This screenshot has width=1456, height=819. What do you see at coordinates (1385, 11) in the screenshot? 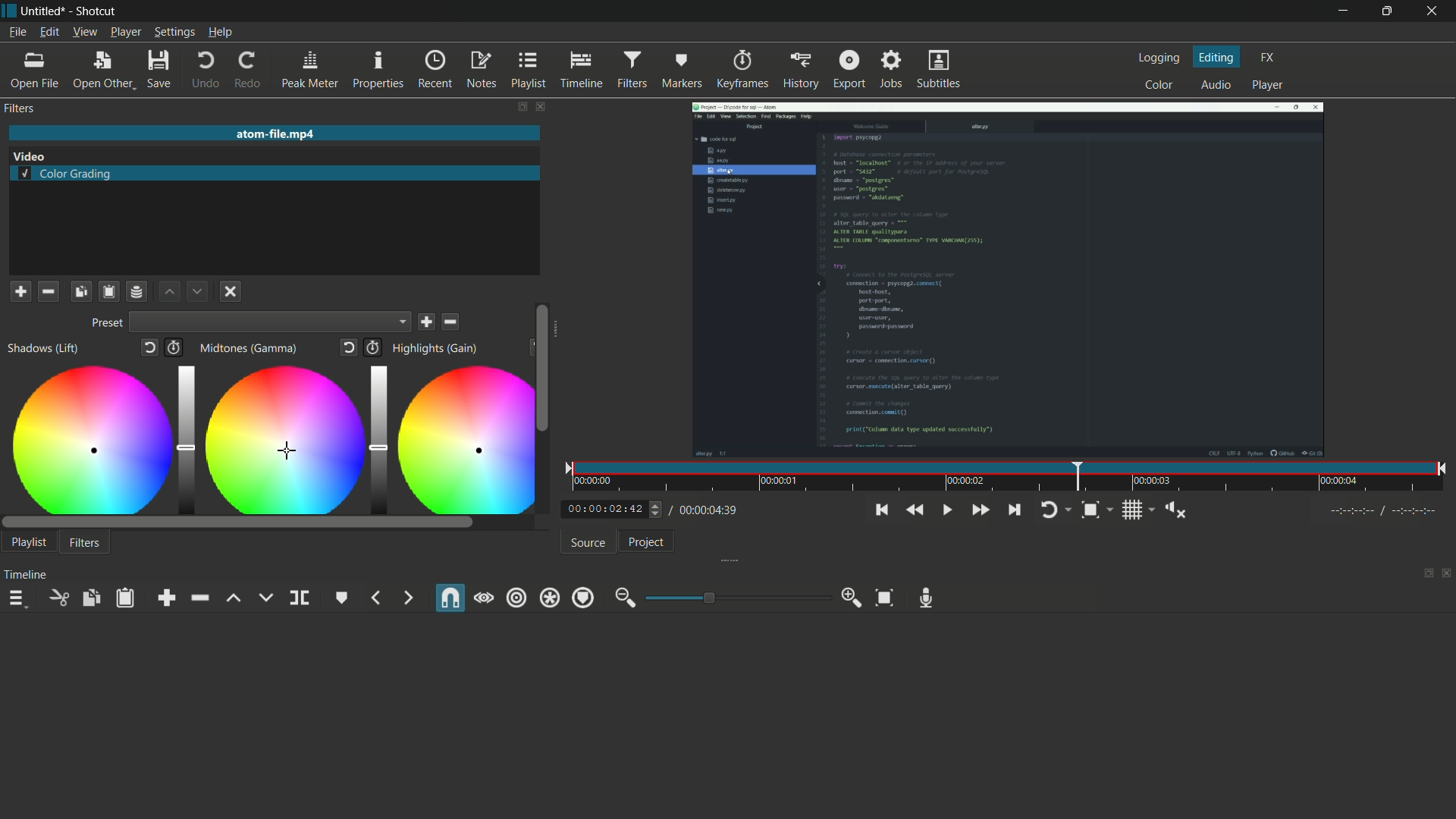
I see `maximize` at bounding box center [1385, 11].